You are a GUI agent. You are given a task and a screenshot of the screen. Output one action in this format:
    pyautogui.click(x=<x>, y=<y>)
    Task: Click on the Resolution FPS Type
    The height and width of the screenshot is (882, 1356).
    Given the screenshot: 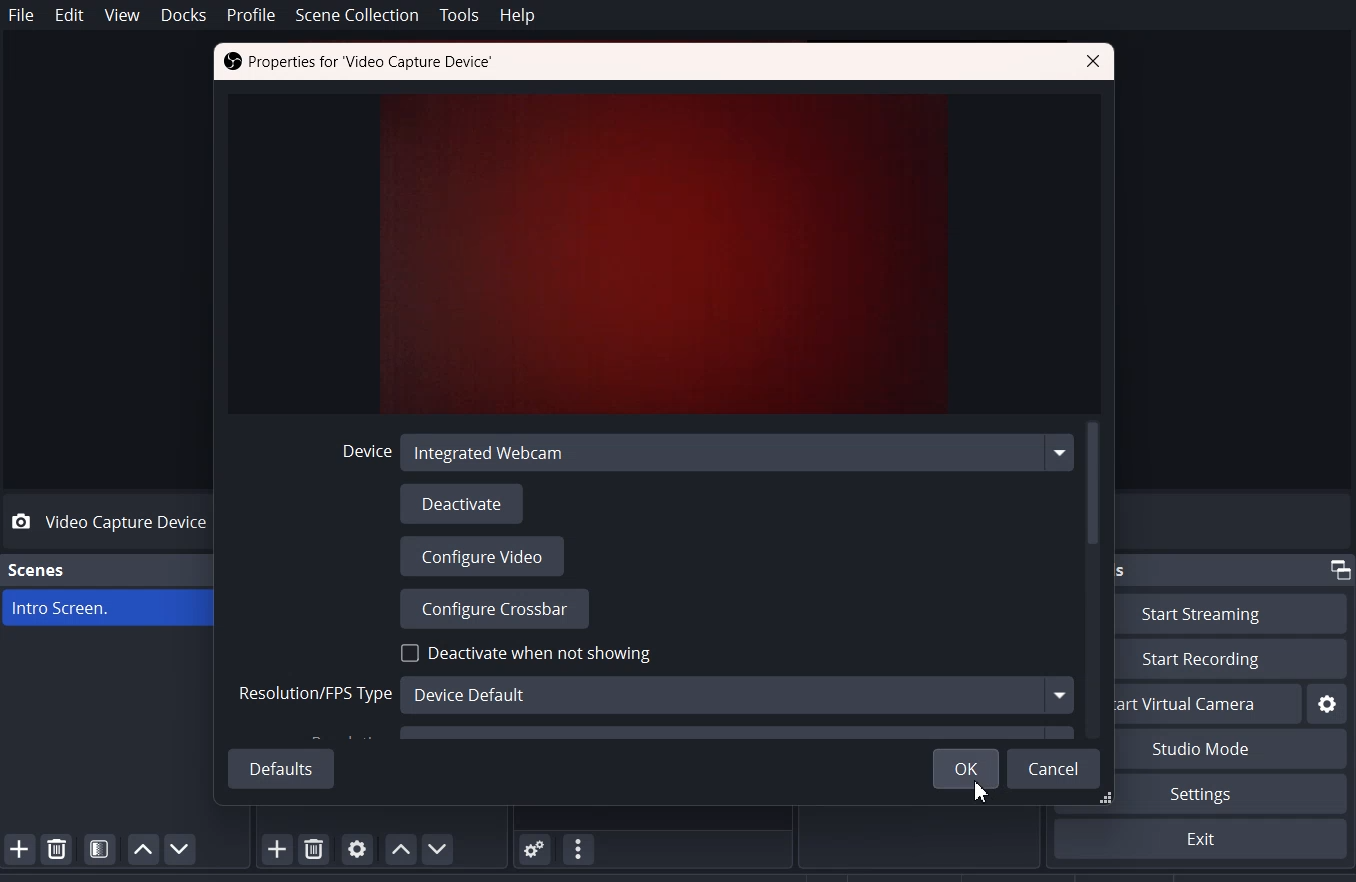 What is the action you would take?
    pyautogui.click(x=651, y=695)
    